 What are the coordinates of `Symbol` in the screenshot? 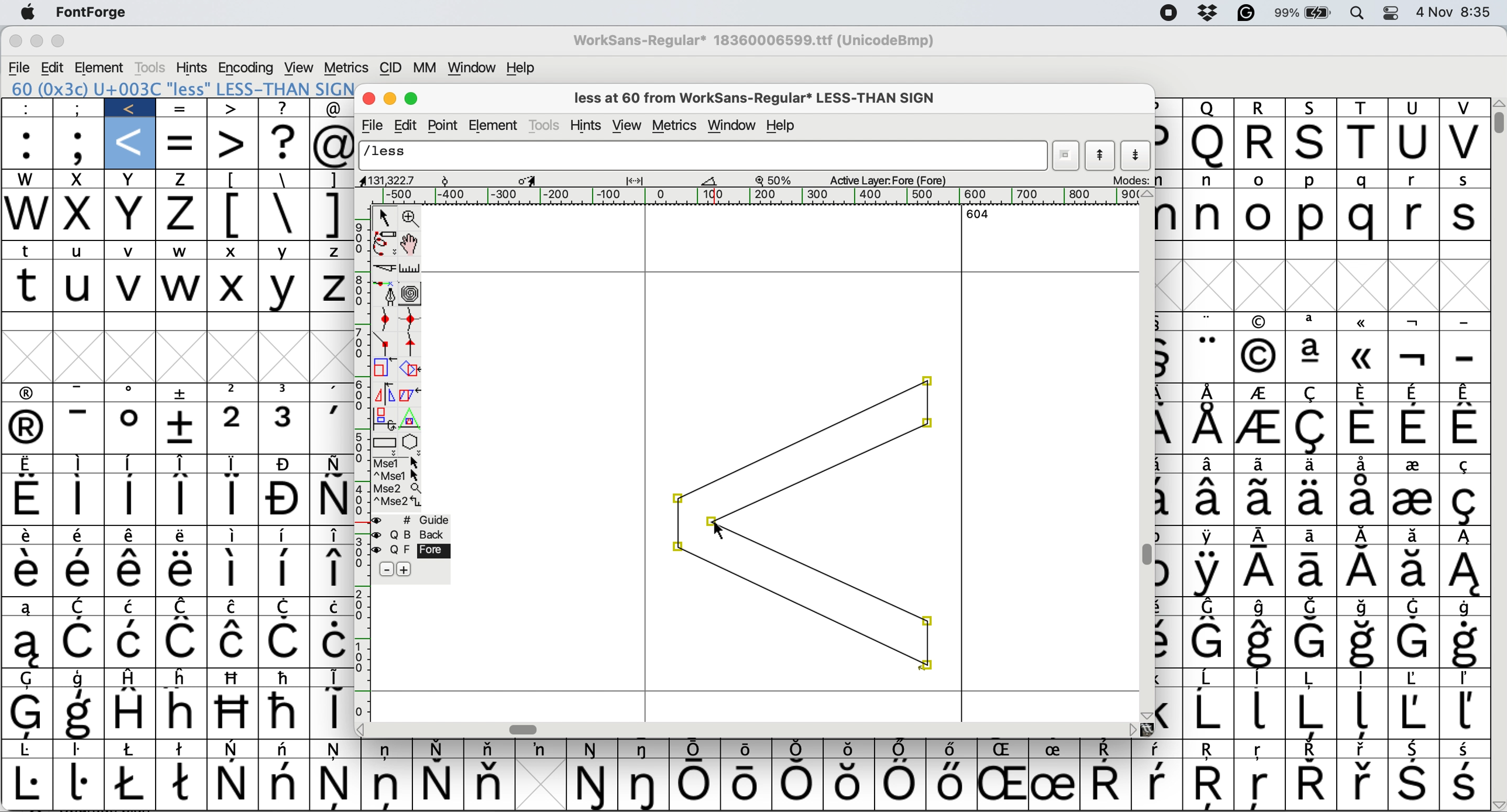 It's located at (131, 572).